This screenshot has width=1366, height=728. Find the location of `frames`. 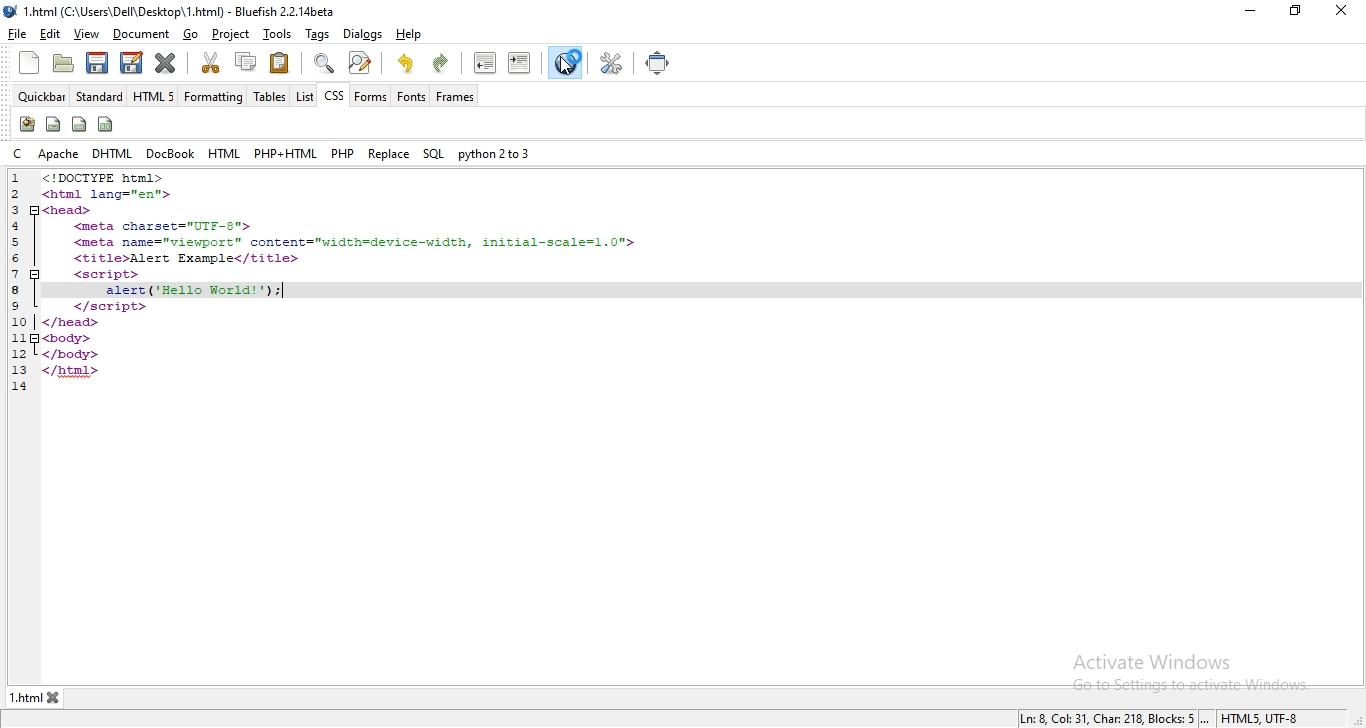

frames is located at coordinates (455, 96).